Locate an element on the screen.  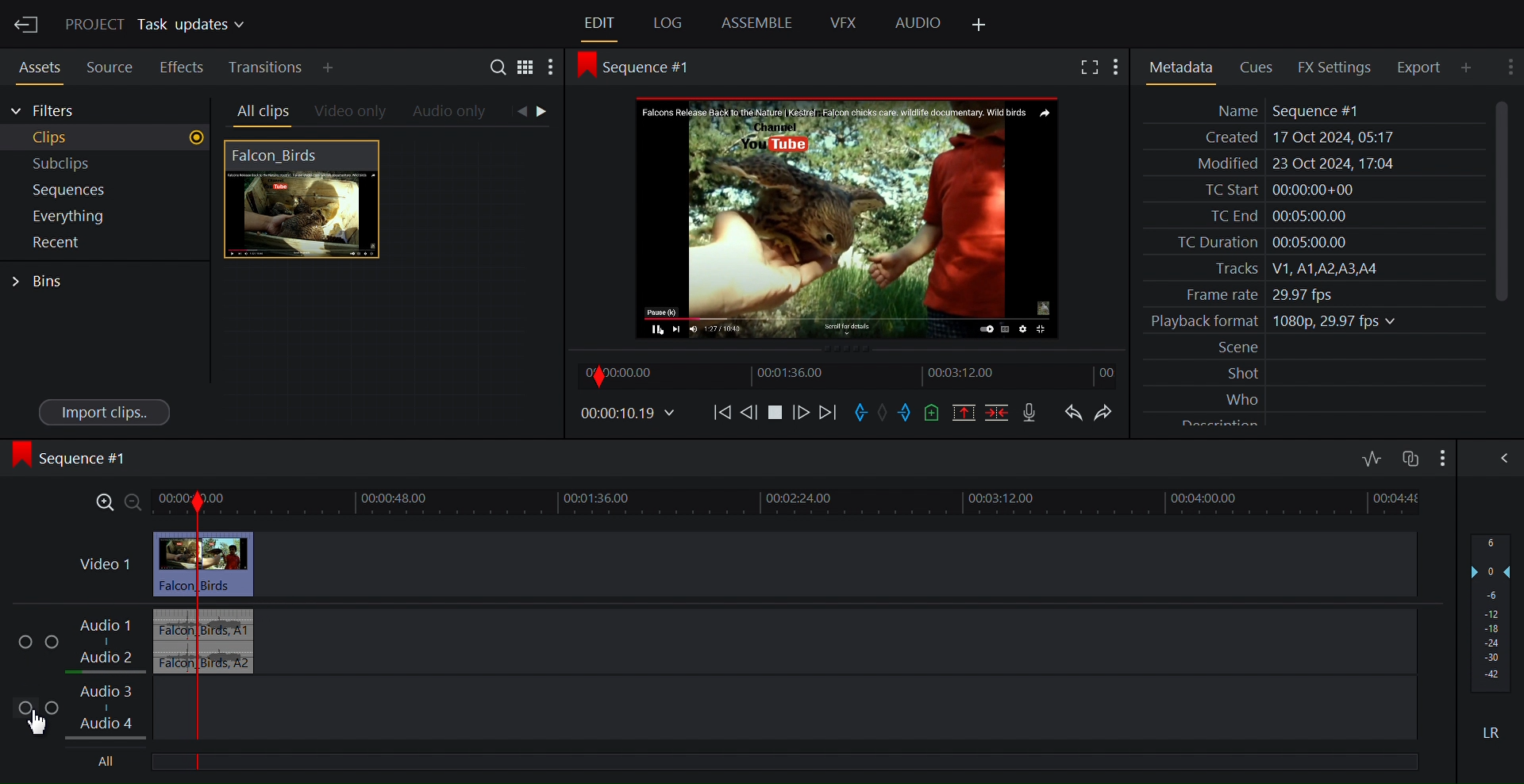
audio 2 is located at coordinates (229, 659).